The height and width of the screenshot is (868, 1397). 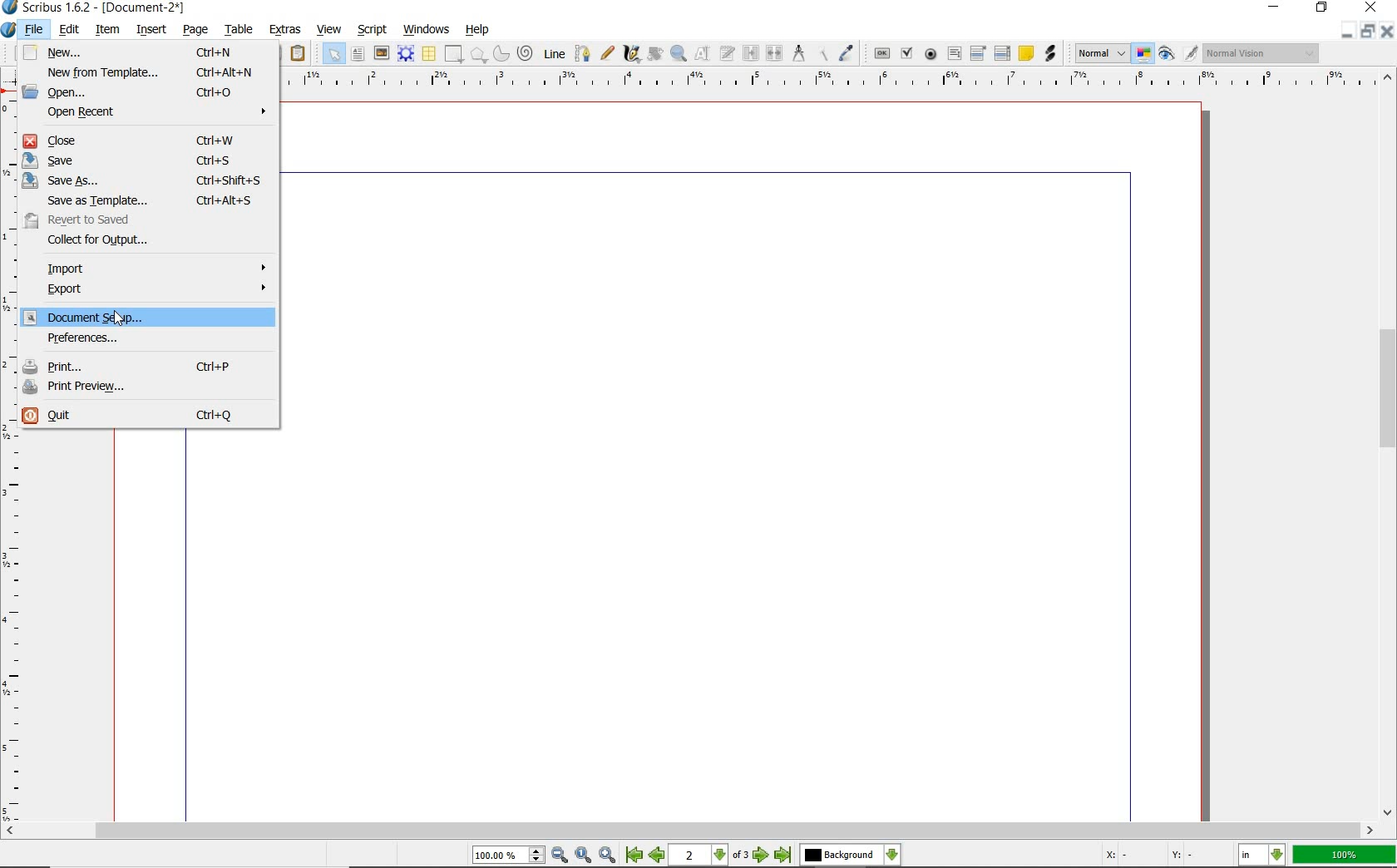 I want to click on table, so click(x=428, y=54).